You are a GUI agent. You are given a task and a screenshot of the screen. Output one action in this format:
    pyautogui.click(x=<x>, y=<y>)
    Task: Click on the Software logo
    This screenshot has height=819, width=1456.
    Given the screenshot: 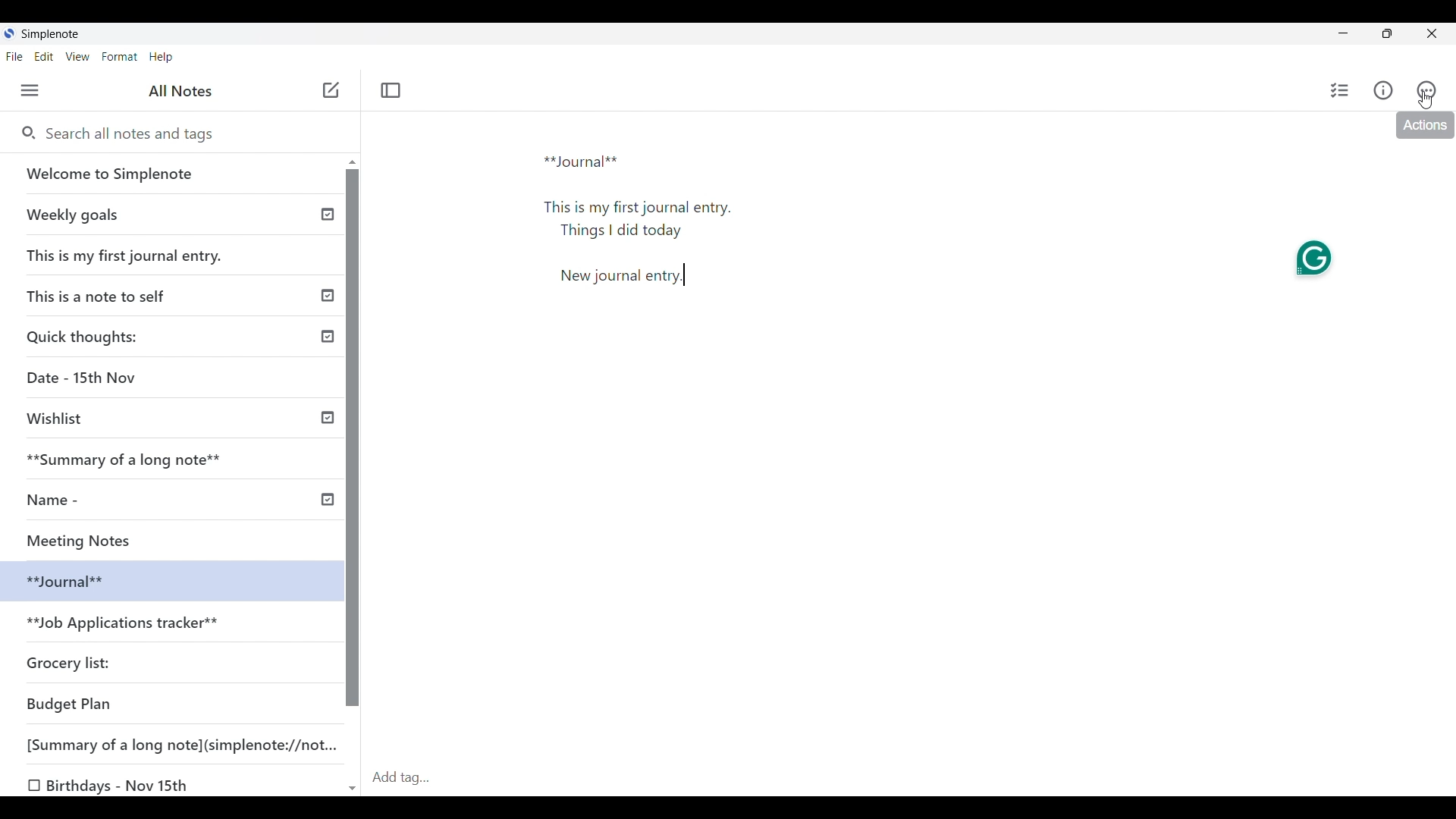 What is the action you would take?
    pyautogui.click(x=9, y=33)
    